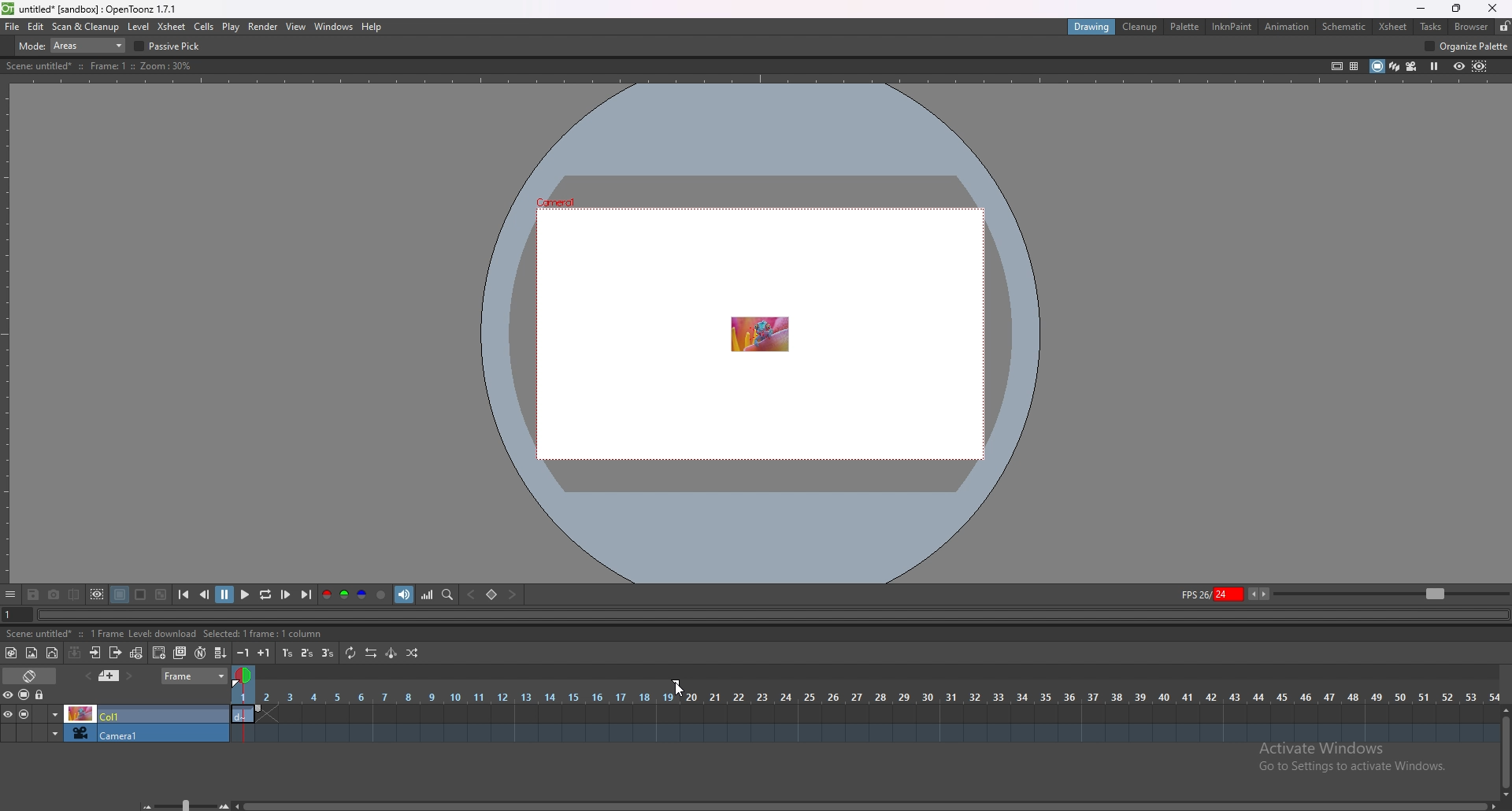 This screenshot has height=811, width=1512. What do you see at coordinates (865, 712) in the screenshot?
I see `timeline` at bounding box center [865, 712].